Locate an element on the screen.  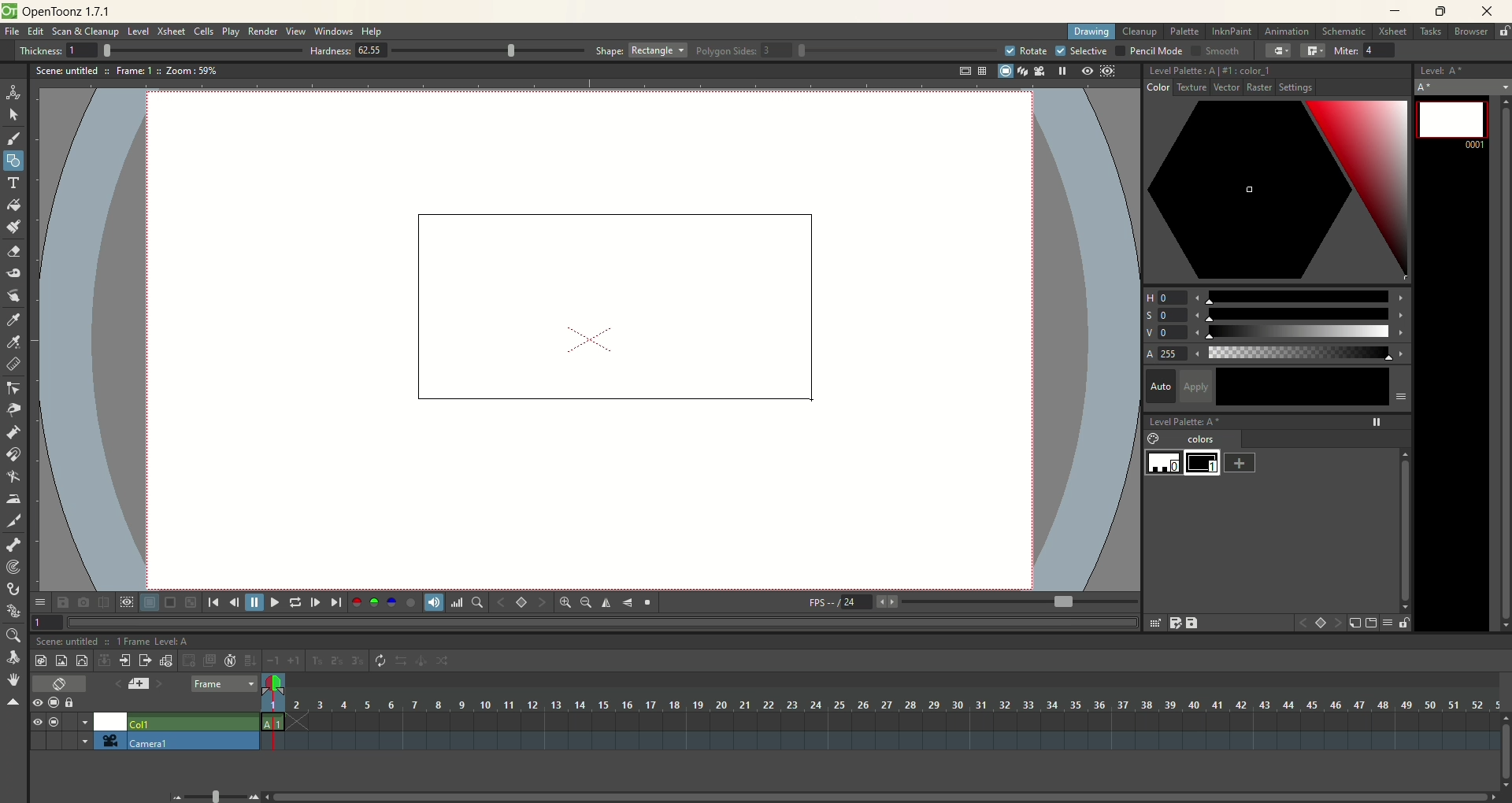
define sub-camera is located at coordinates (126, 601).